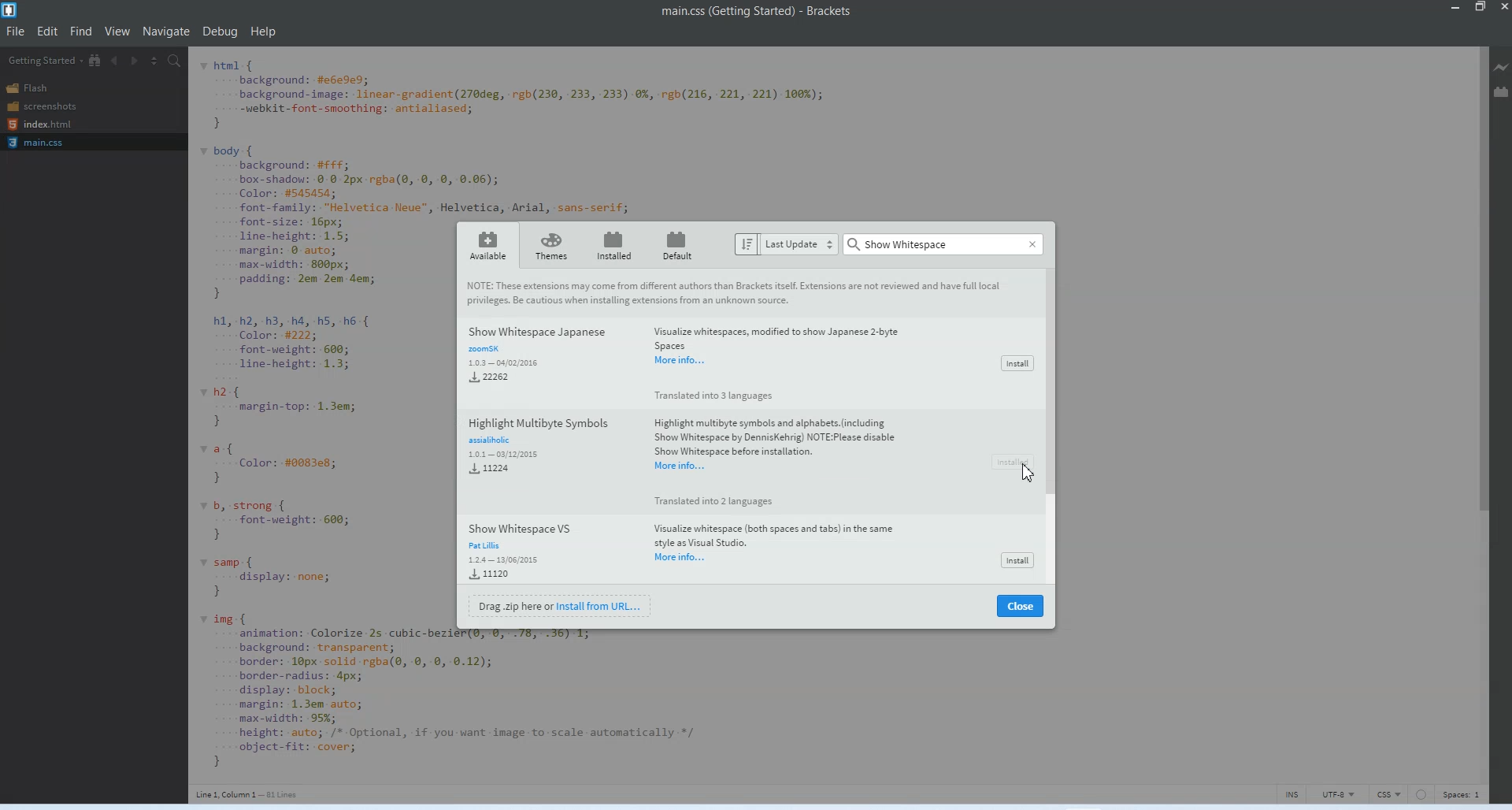 Image resolution: width=1512 pixels, height=810 pixels. Describe the element at coordinates (1056, 427) in the screenshot. I see `Vertical Scroll Bar` at that location.